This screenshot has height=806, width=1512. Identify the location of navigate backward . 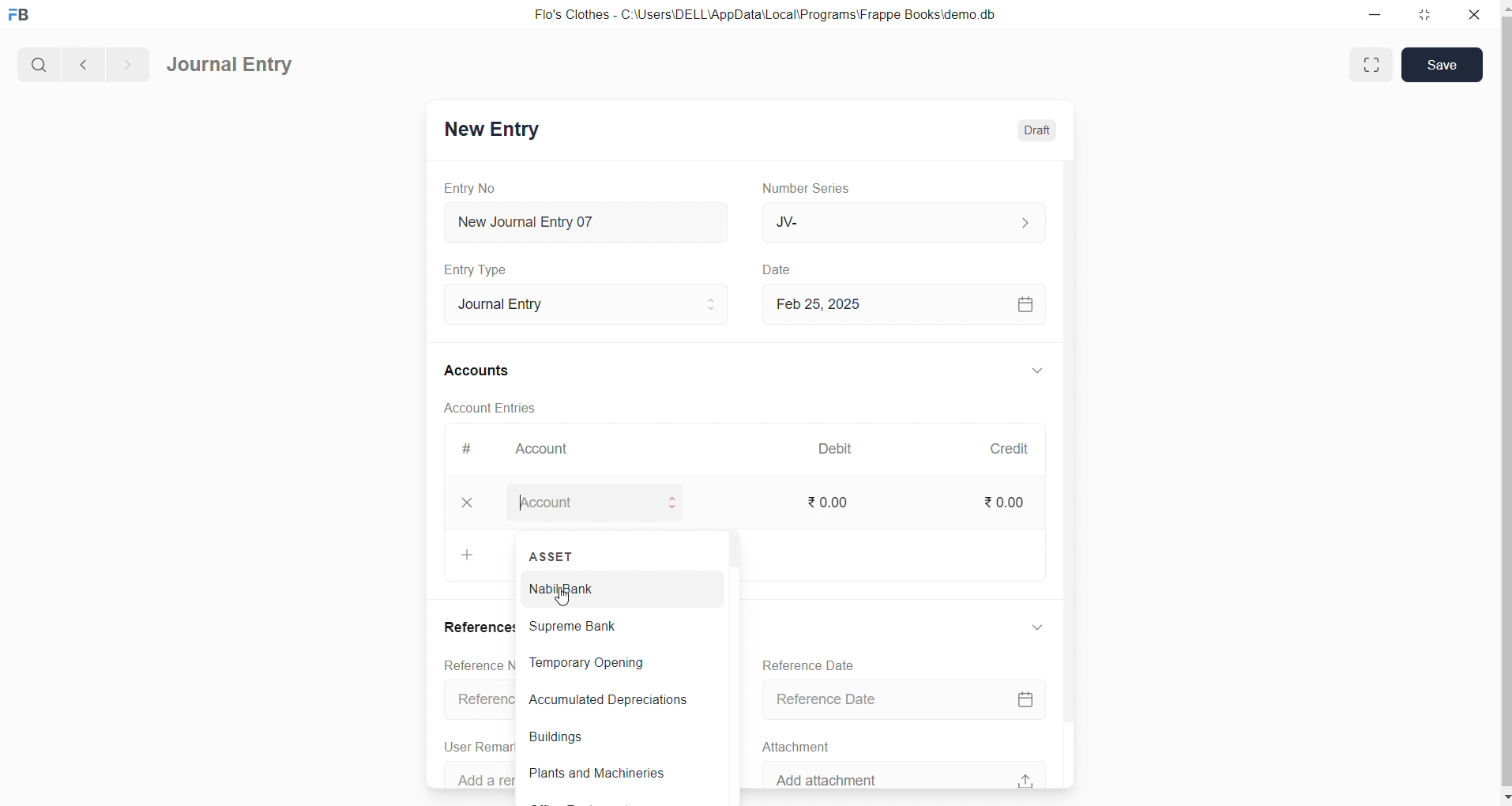
(81, 62).